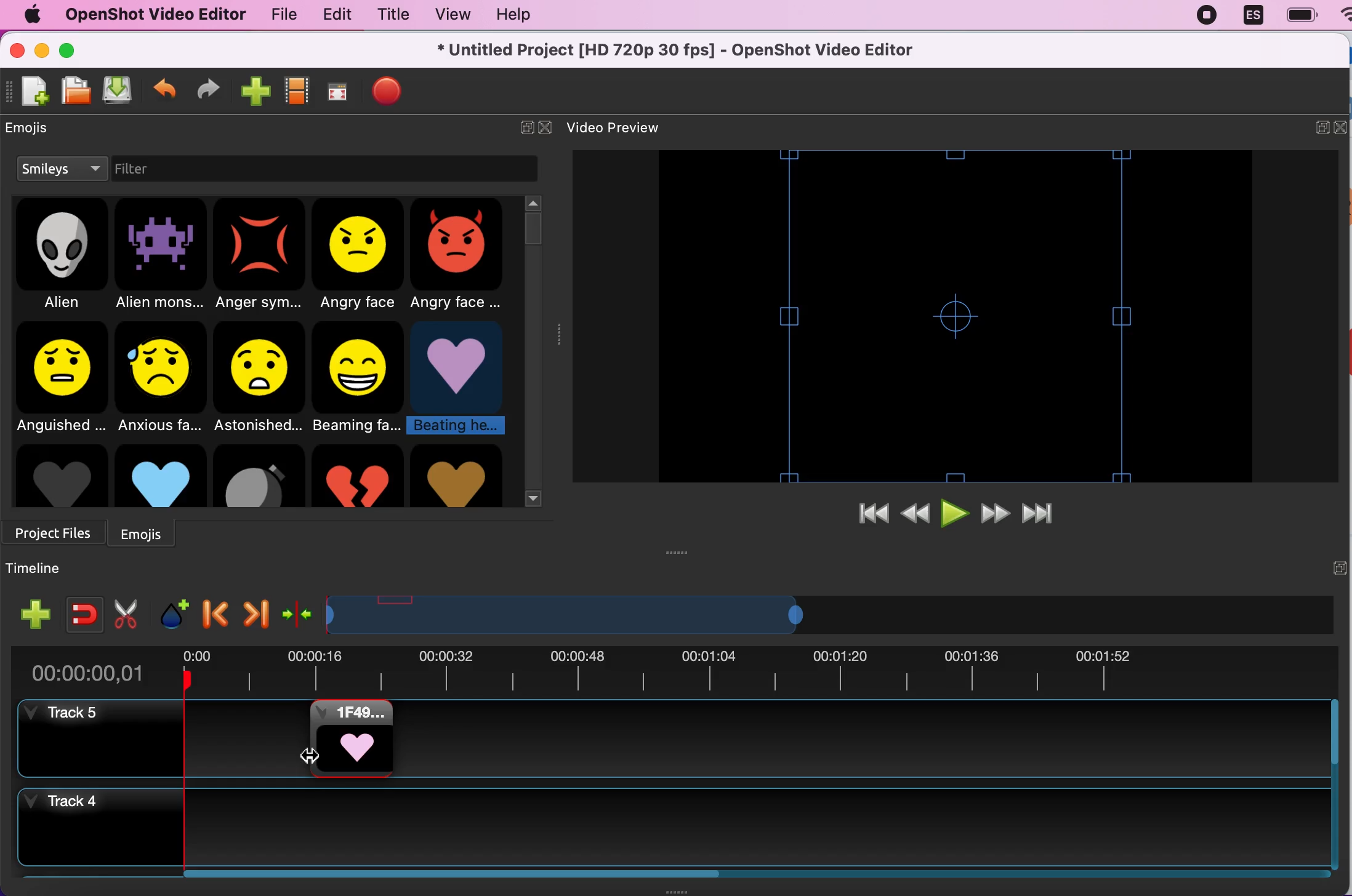 The width and height of the screenshot is (1352, 896). I want to click on angry face, so click(360, 256).